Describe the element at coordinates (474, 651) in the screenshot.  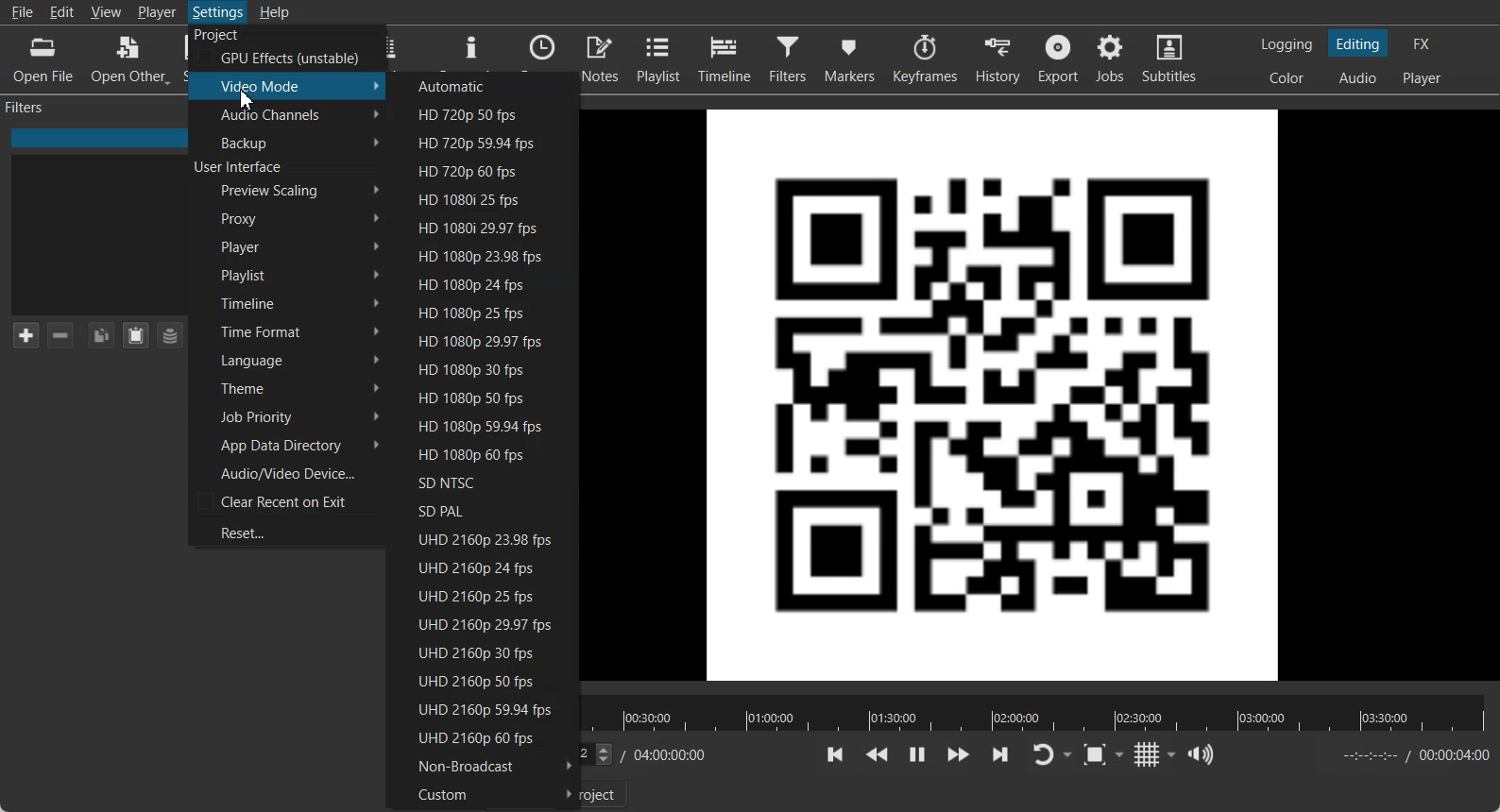
I see `UHD 2160p 30 fps` at that location.